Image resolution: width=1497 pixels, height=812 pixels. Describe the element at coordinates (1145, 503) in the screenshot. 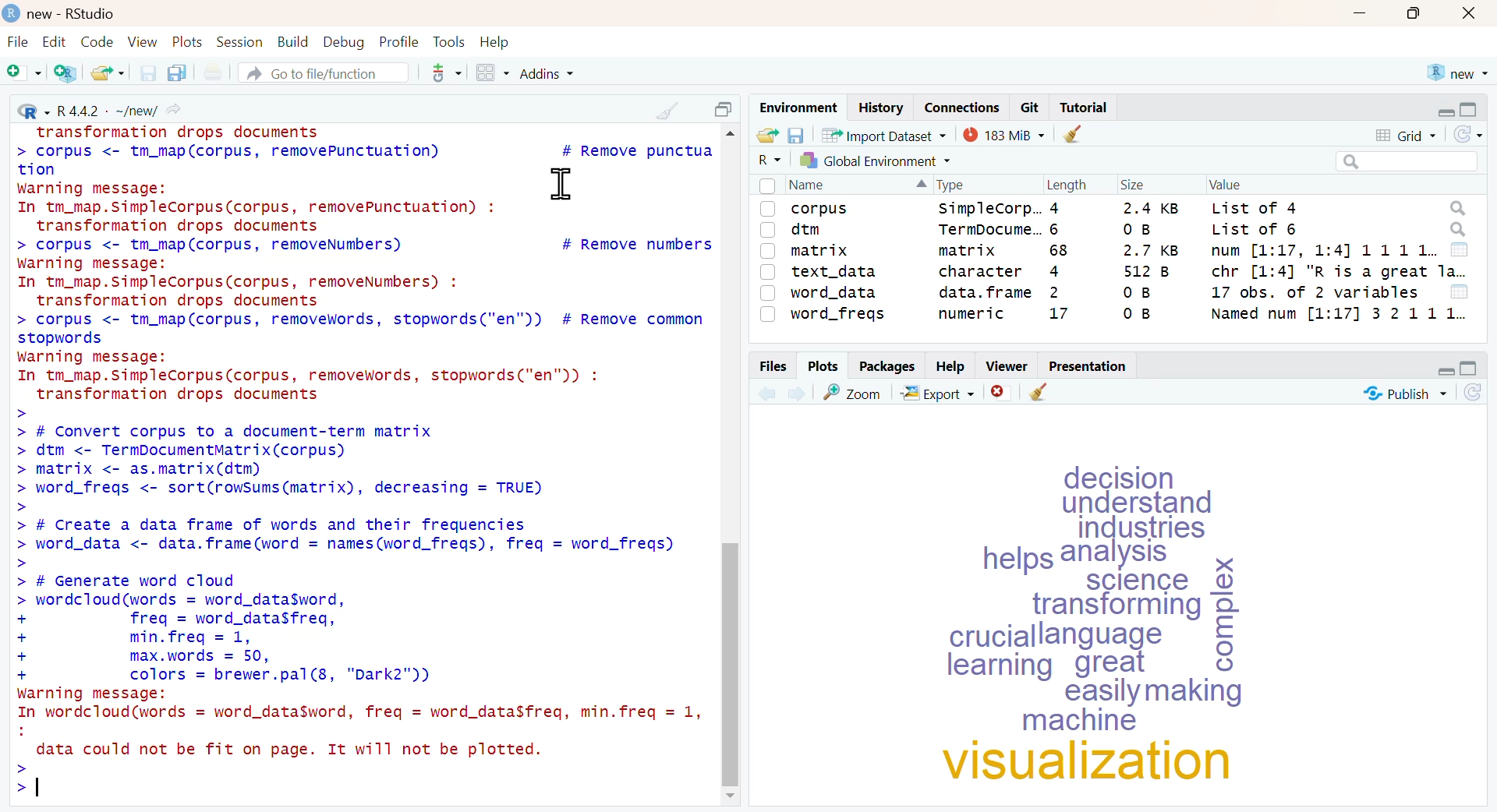

I see `understand` at that location.